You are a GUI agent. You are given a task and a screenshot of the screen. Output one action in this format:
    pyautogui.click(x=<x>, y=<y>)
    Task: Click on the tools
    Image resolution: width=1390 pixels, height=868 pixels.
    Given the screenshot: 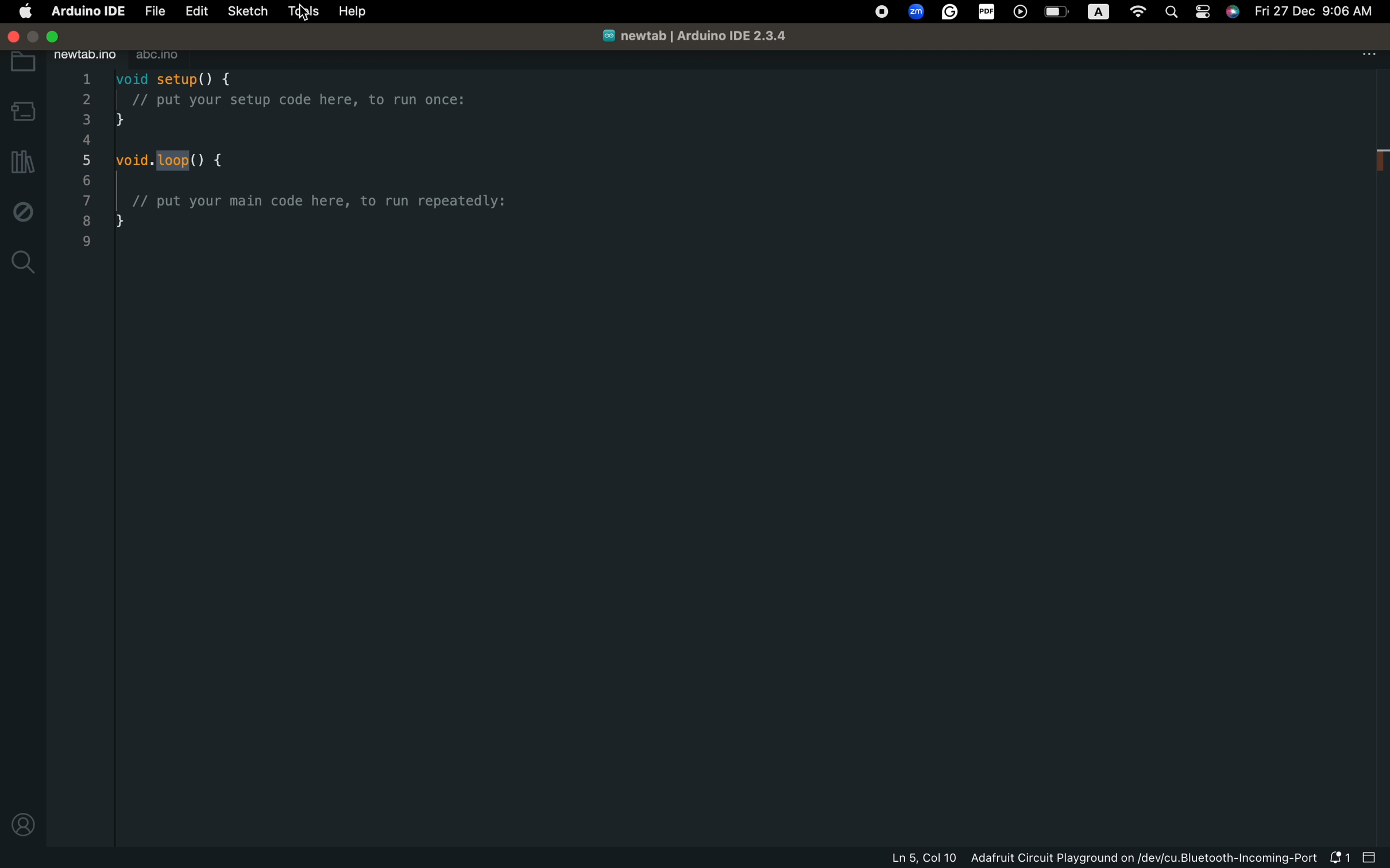 What is the action you would take?
    pyautogui.click(x=302, y=13)
    